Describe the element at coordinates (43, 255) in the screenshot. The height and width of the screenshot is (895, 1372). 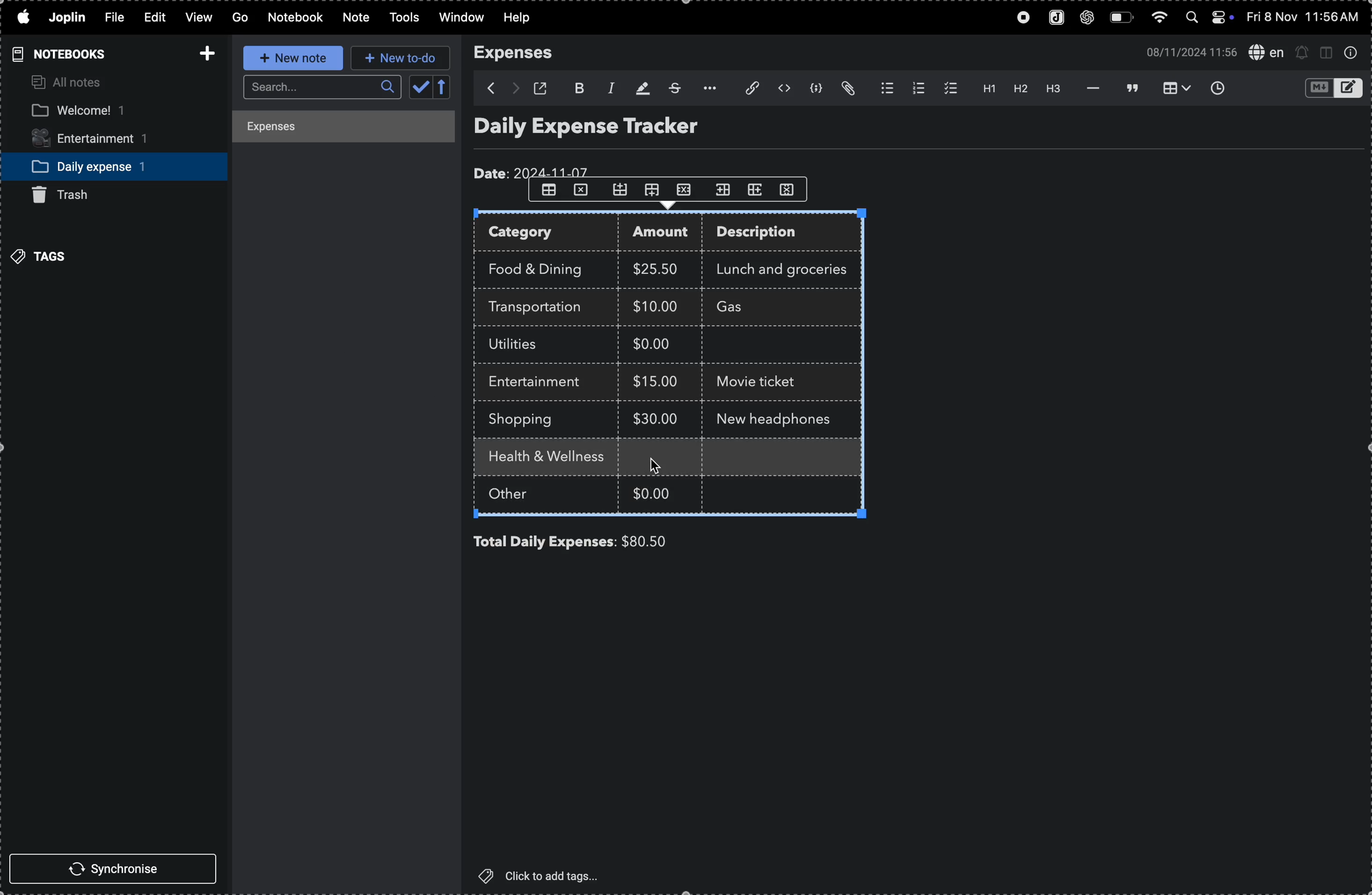
I see `tags` at that location.